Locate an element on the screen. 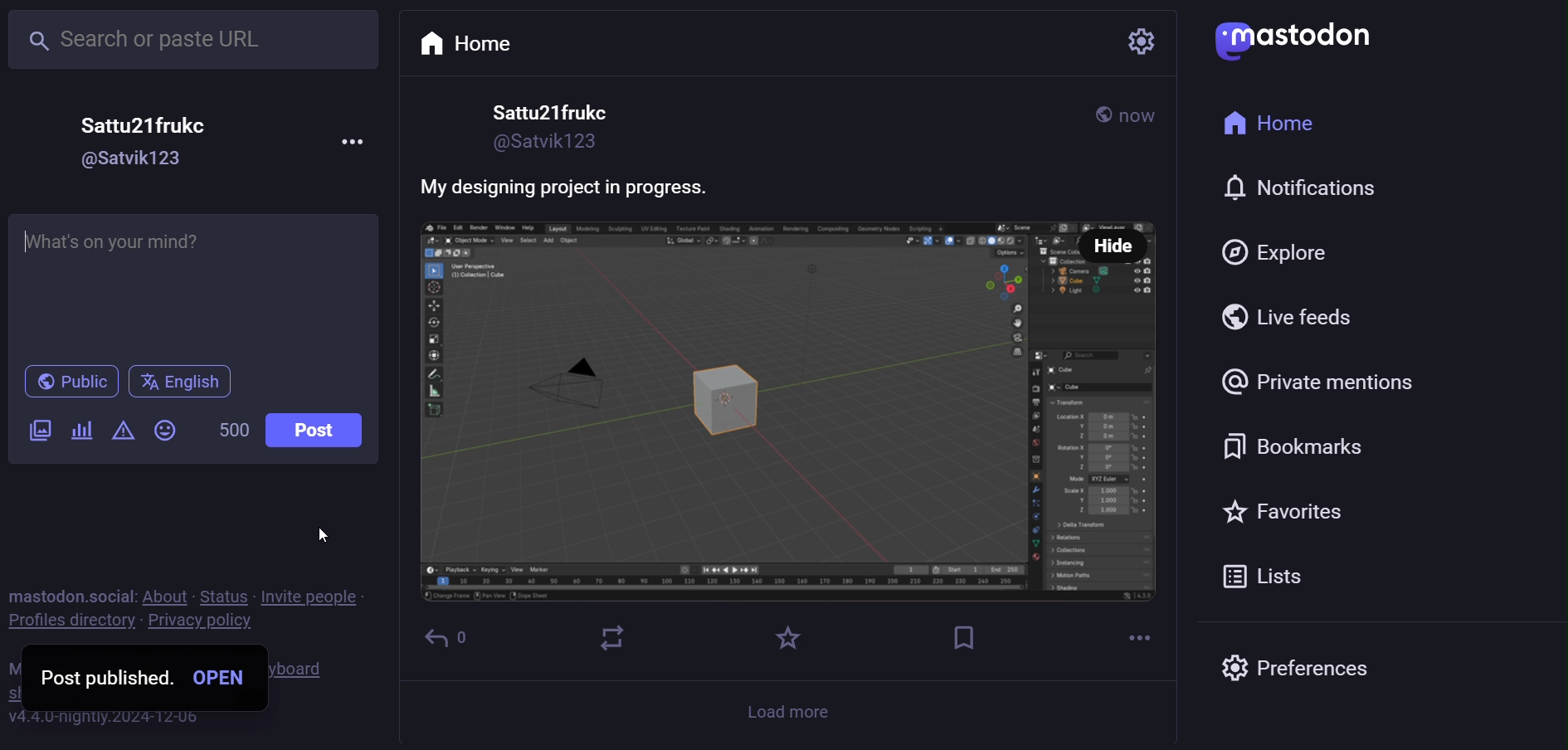  private mention is located at coordinates (1319, 383).